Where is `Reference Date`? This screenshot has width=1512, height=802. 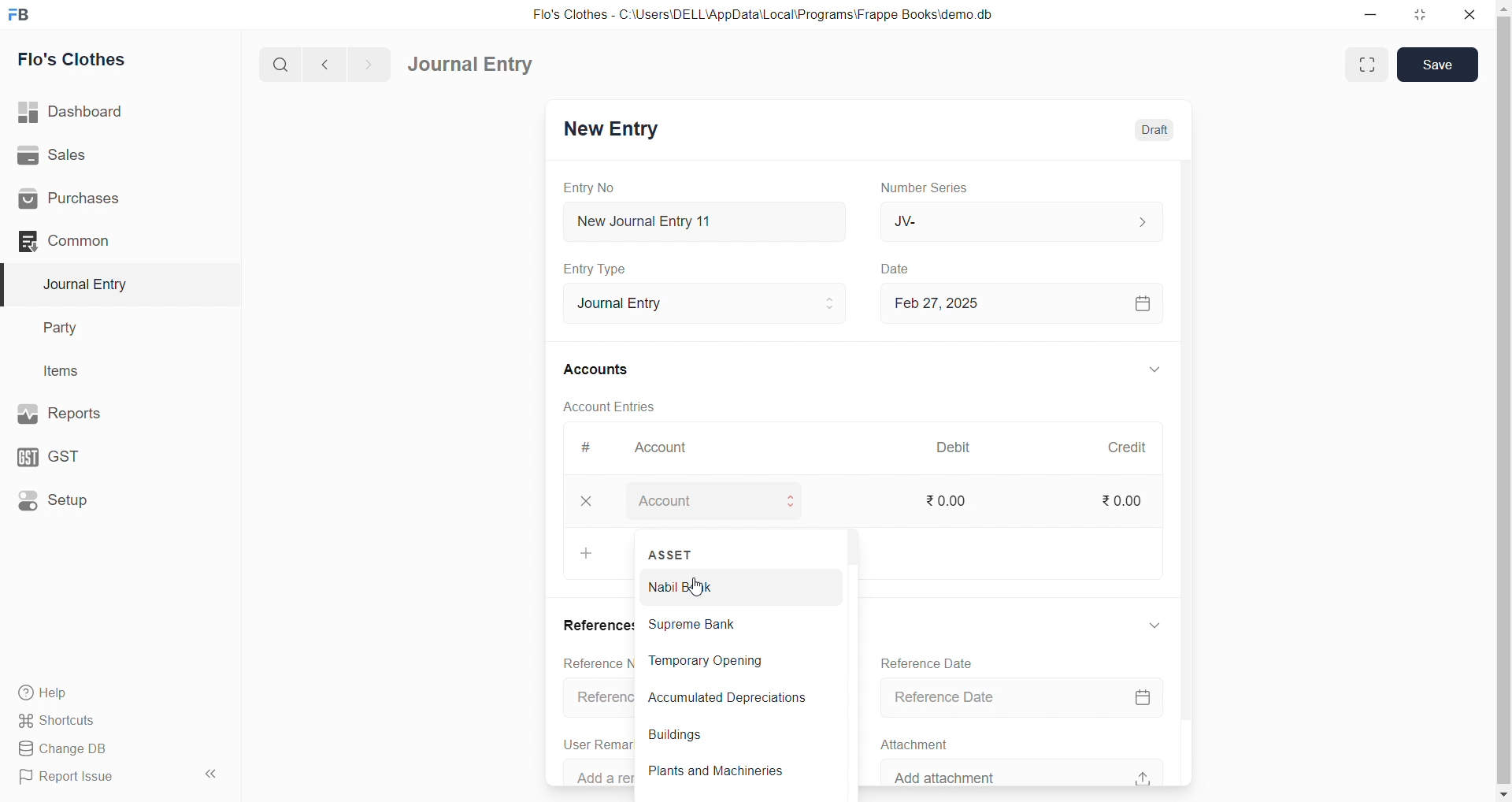
Reference Date is located at coordinates (935, 662).